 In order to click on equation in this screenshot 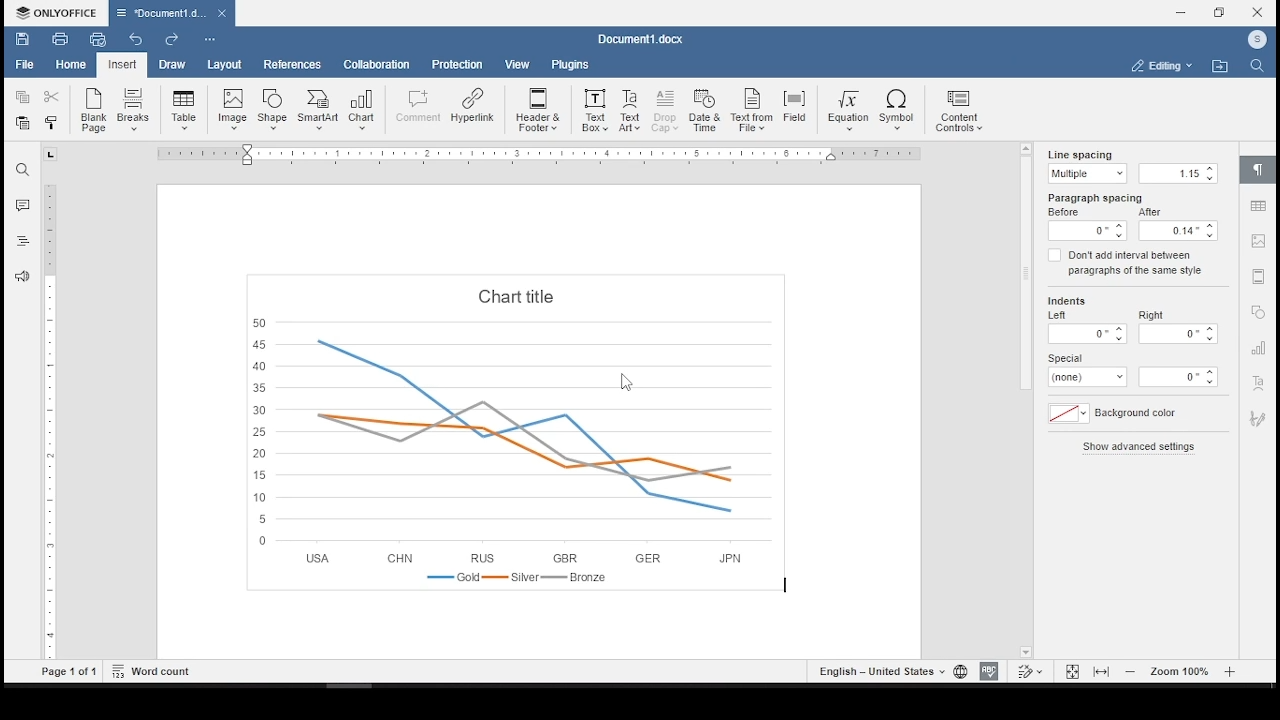, I will do `click(849, 110)`.